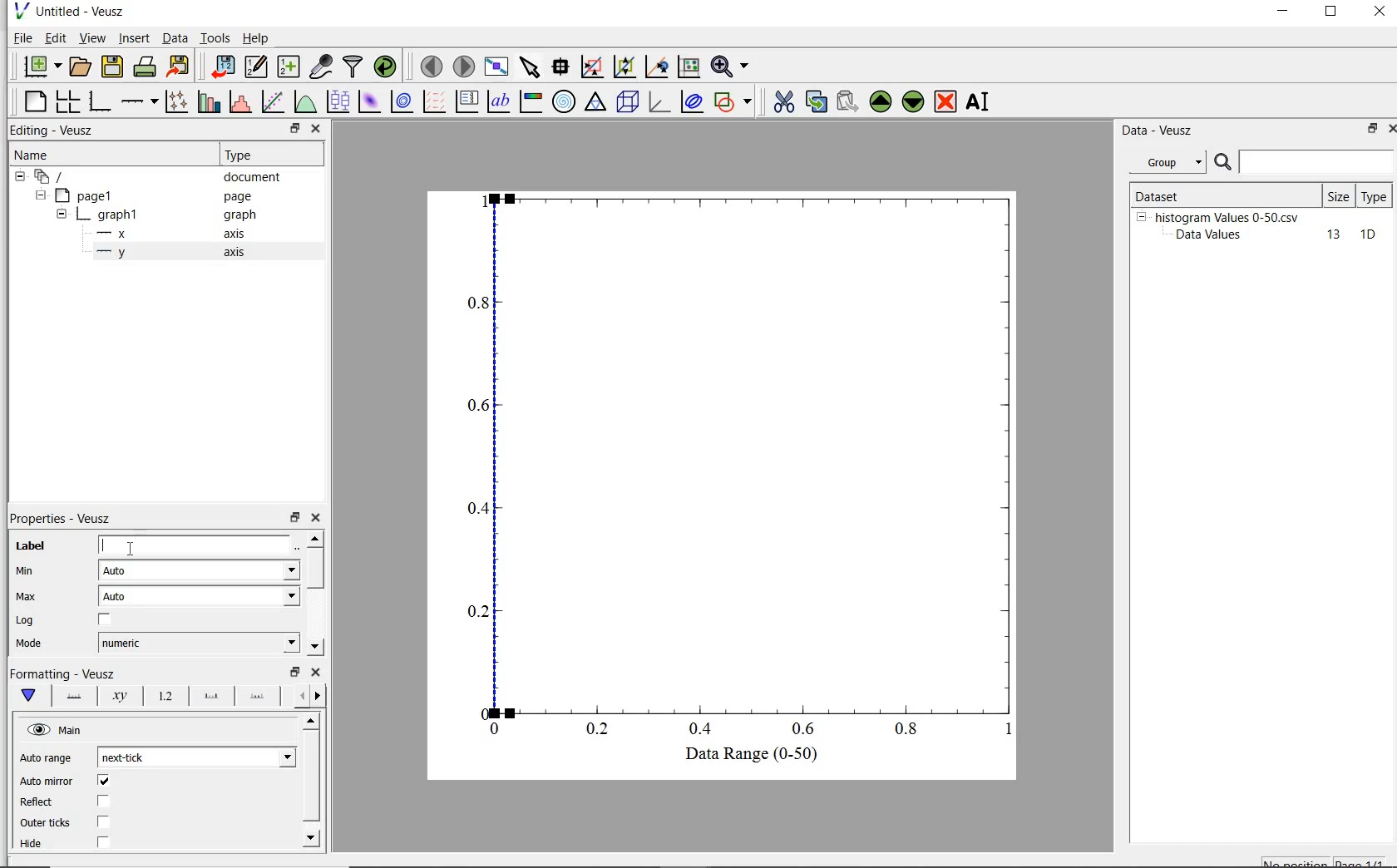  I want to click on plot key, so click(466, 101).